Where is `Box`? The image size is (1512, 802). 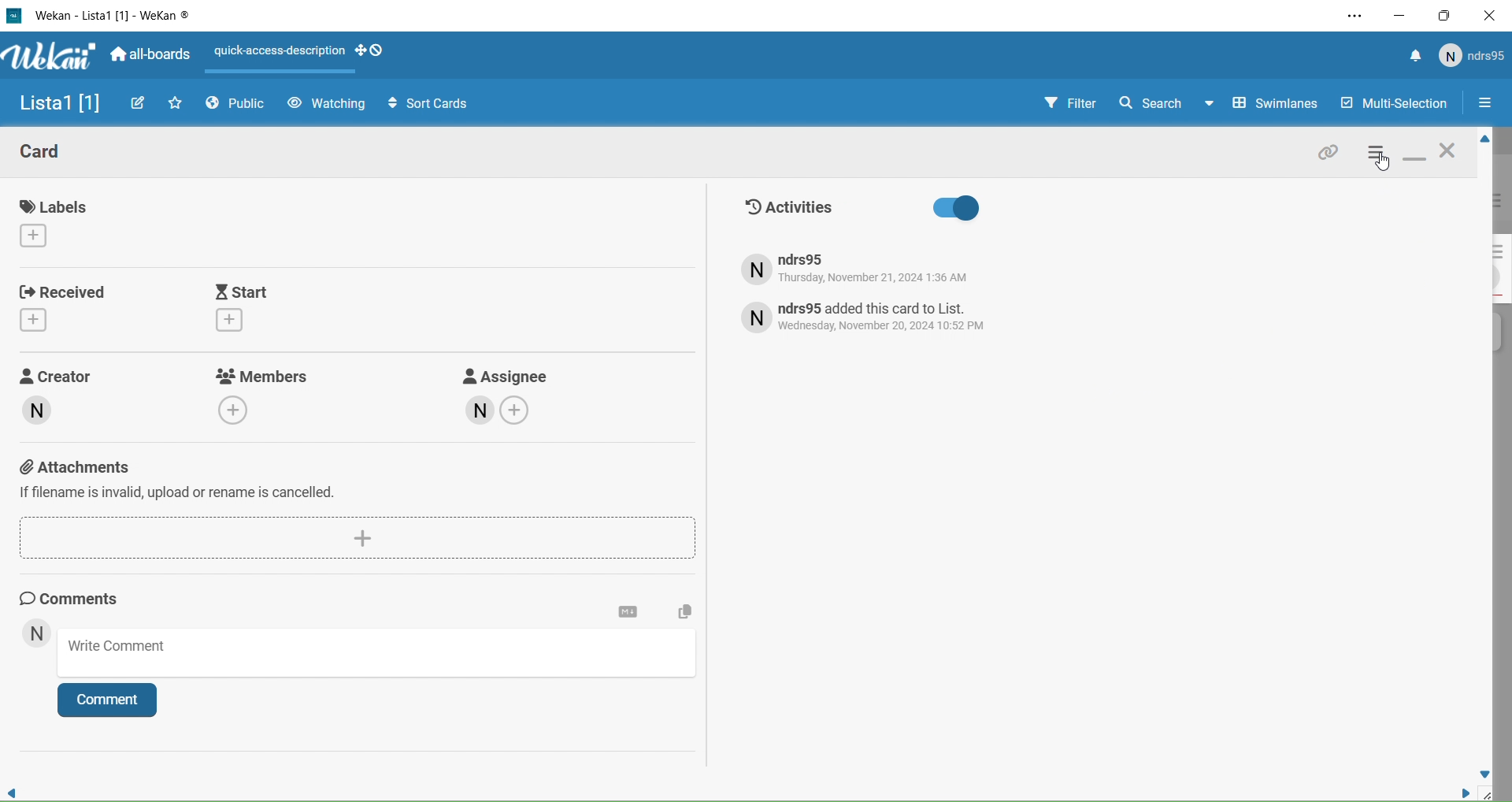
Box is located at coordinates (1443, 17).